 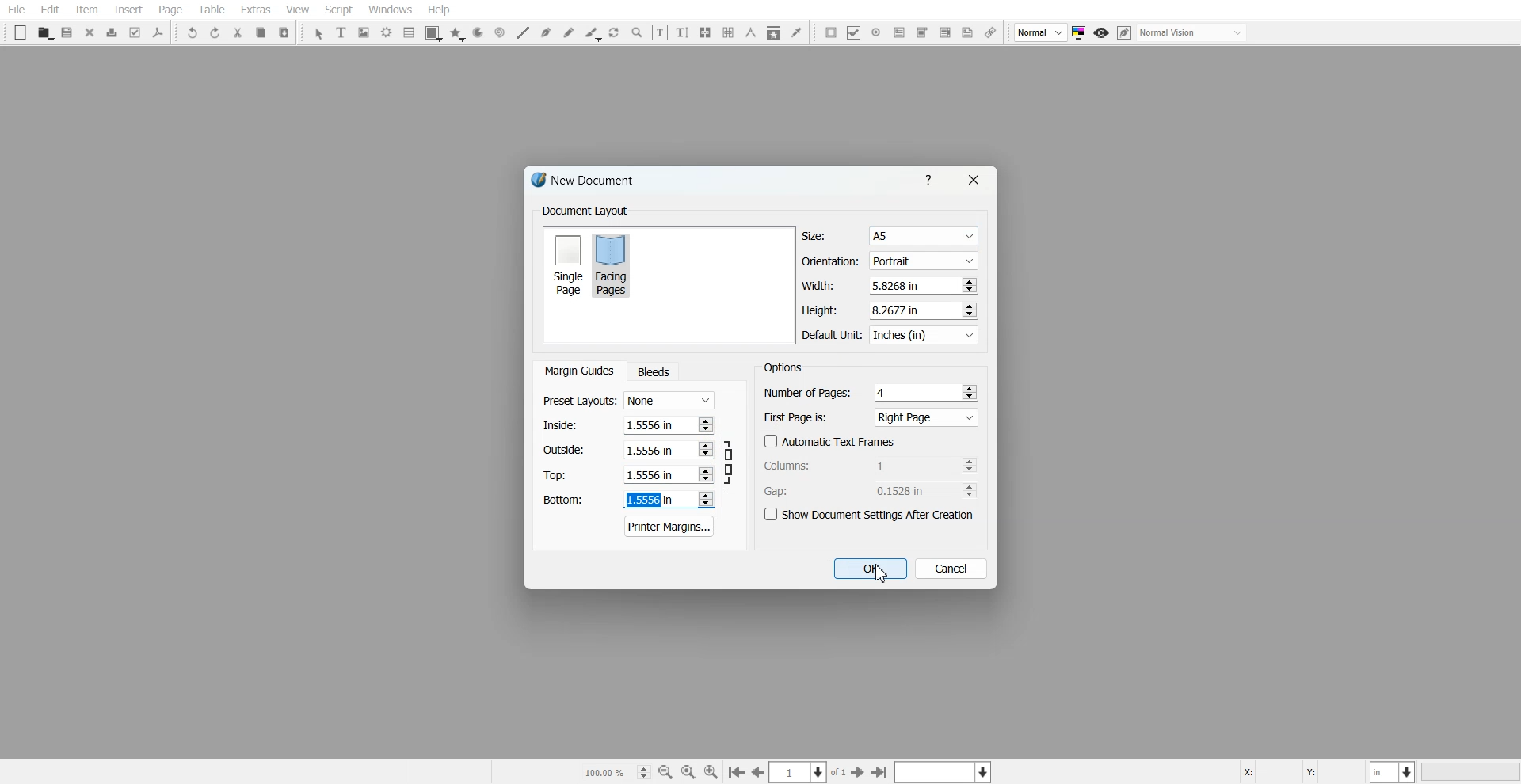 What do you see at coordinates (705, 475) in the screenshot?
I see `Increase and decrease No. ` at bounding box center [705, 475].